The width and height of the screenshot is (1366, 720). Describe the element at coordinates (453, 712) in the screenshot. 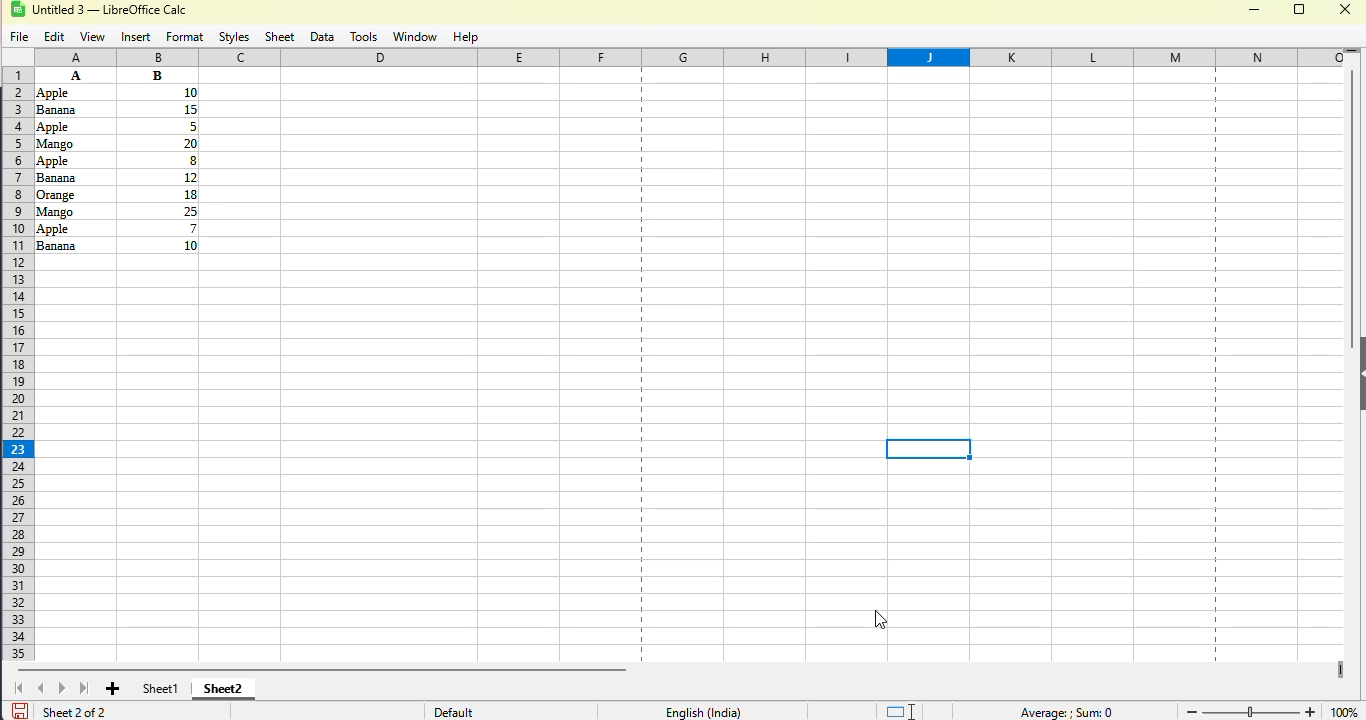

I see `default` at that location.